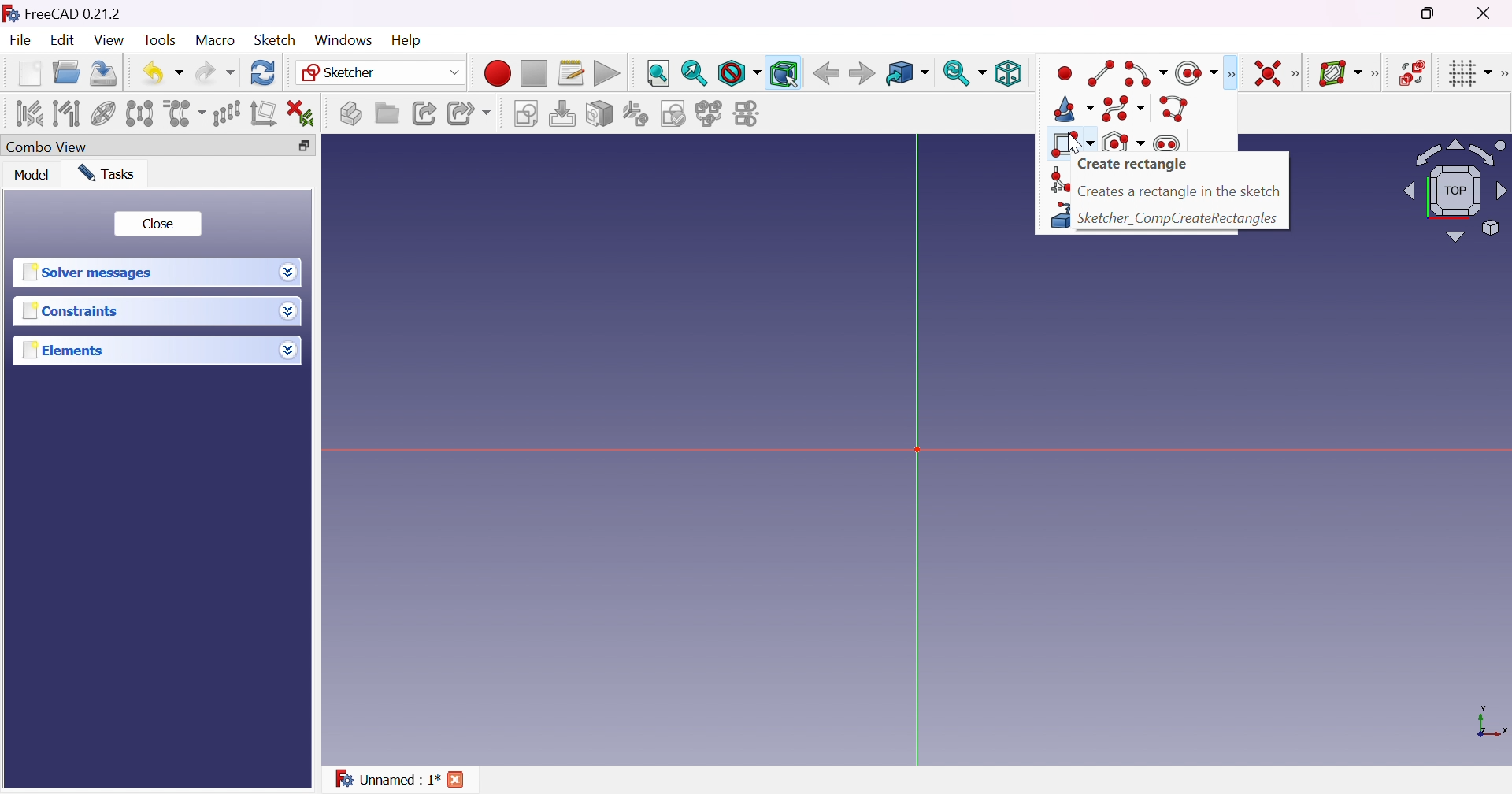  Describe the element at coordinates (1102, 74) in the screenshot. I see `Create line` at that location.